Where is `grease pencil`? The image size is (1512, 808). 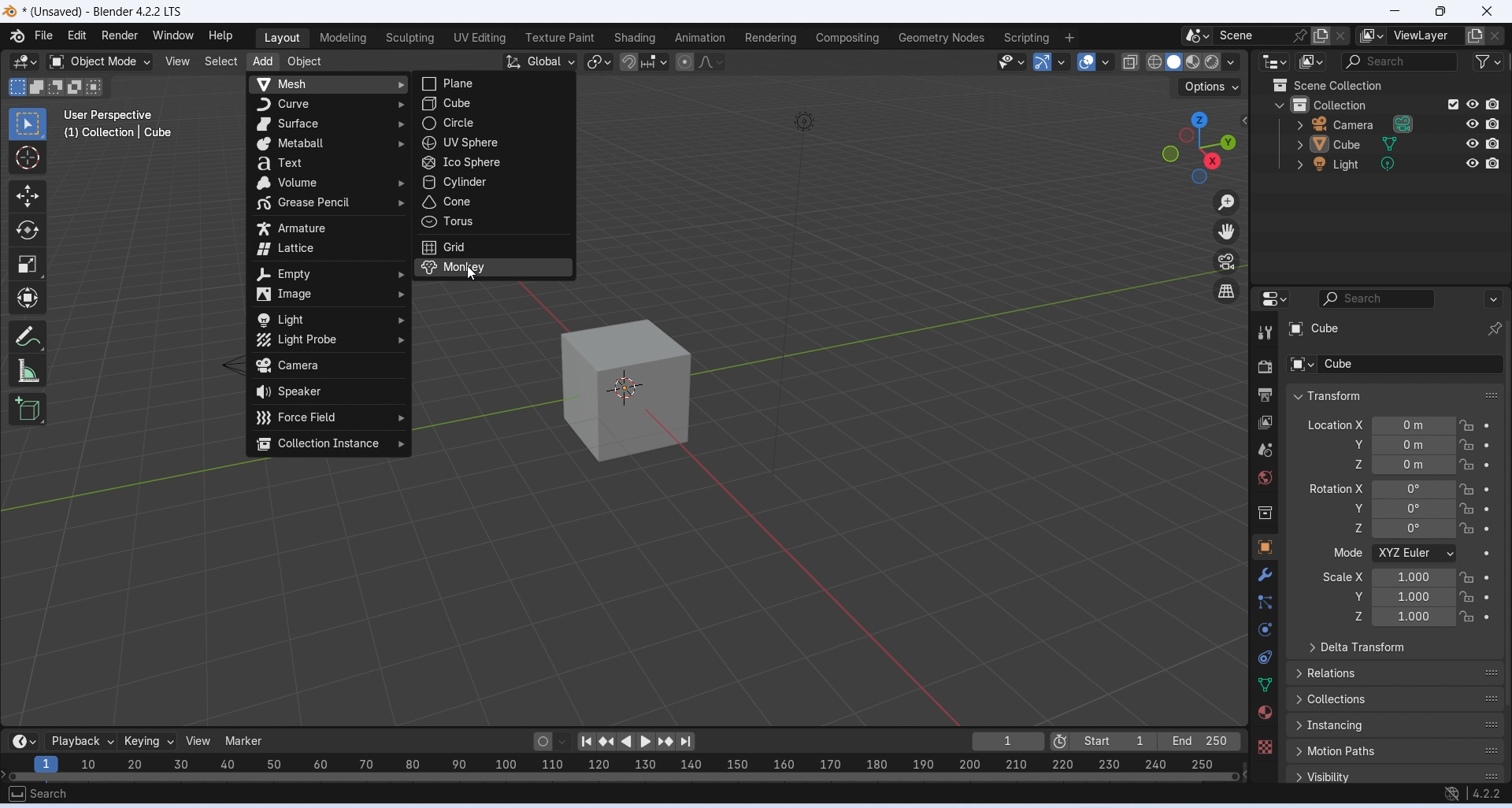 grease pencil is located at coordinates (328, 204).